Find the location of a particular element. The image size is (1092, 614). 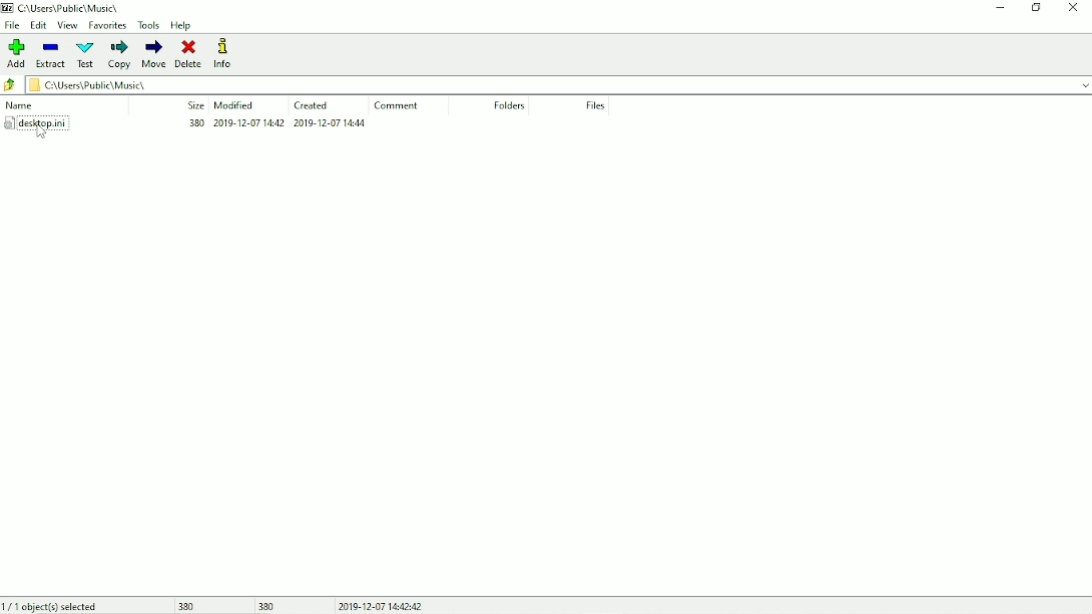

380 is located at coordinates (190, 606).